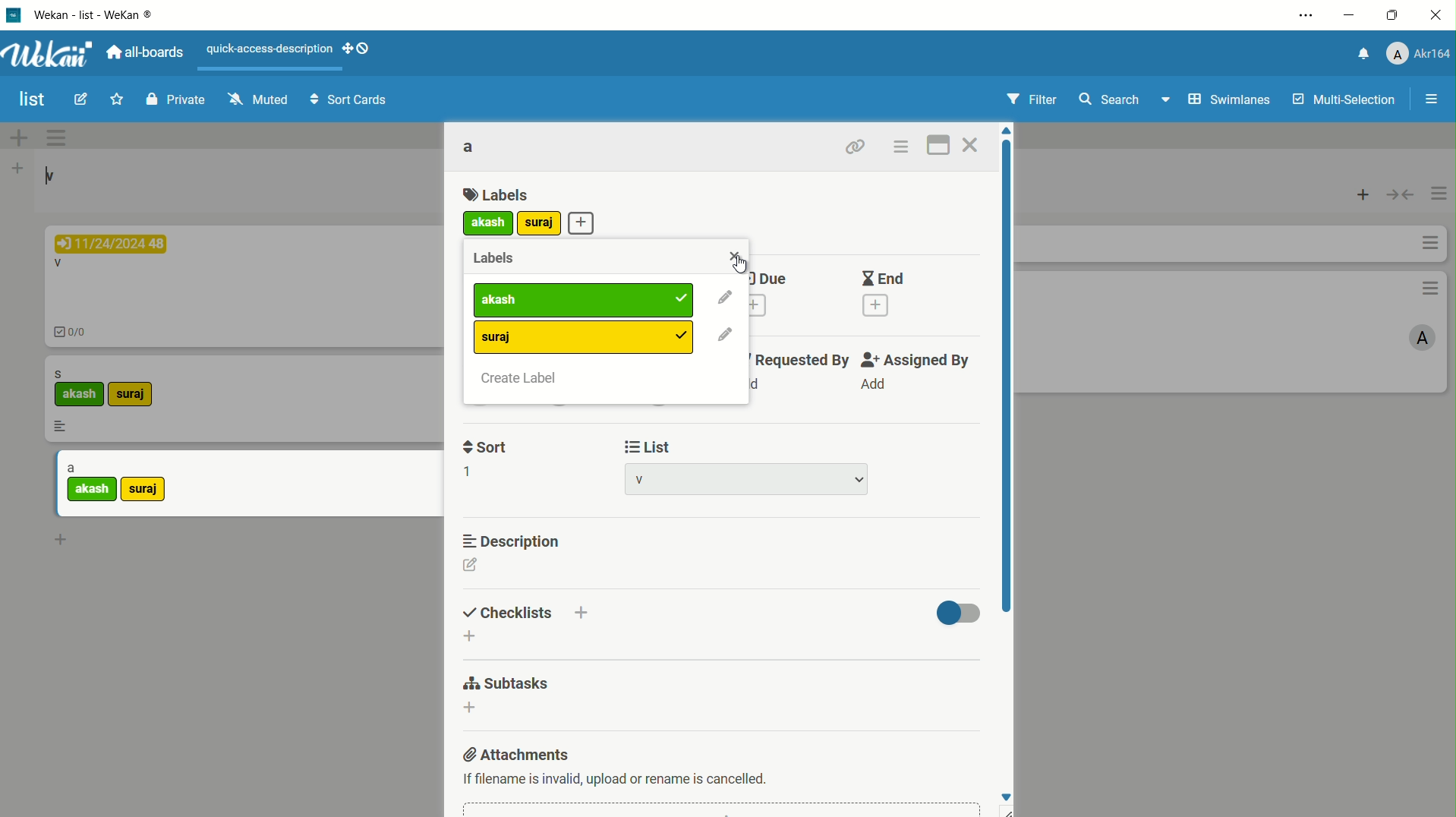 The height and width of the screenshot is (817, 1456). Describe the element at coordinates (49, 52) in the screenshot. I see `app logo` at that location.